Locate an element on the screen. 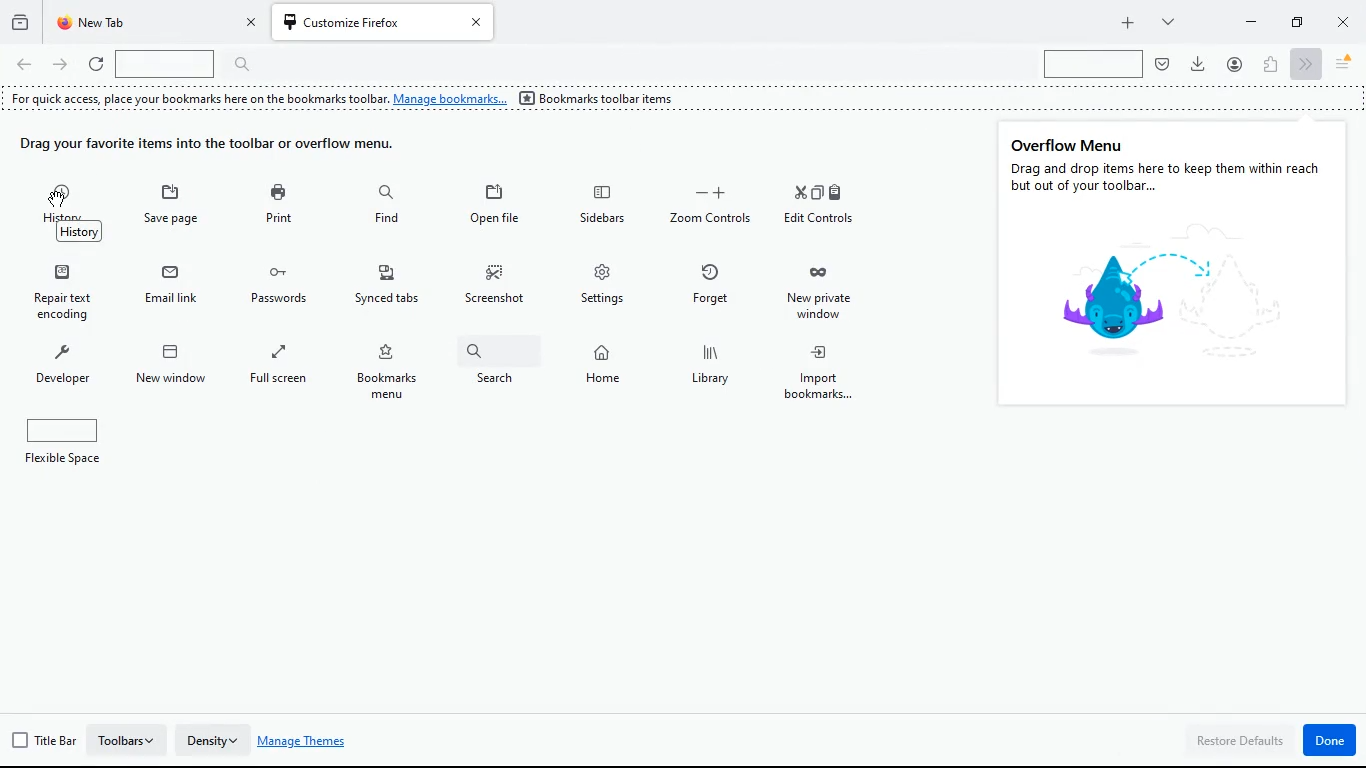 This screenshot has width=1366, height=768. density is located at coordinates (214, 736).